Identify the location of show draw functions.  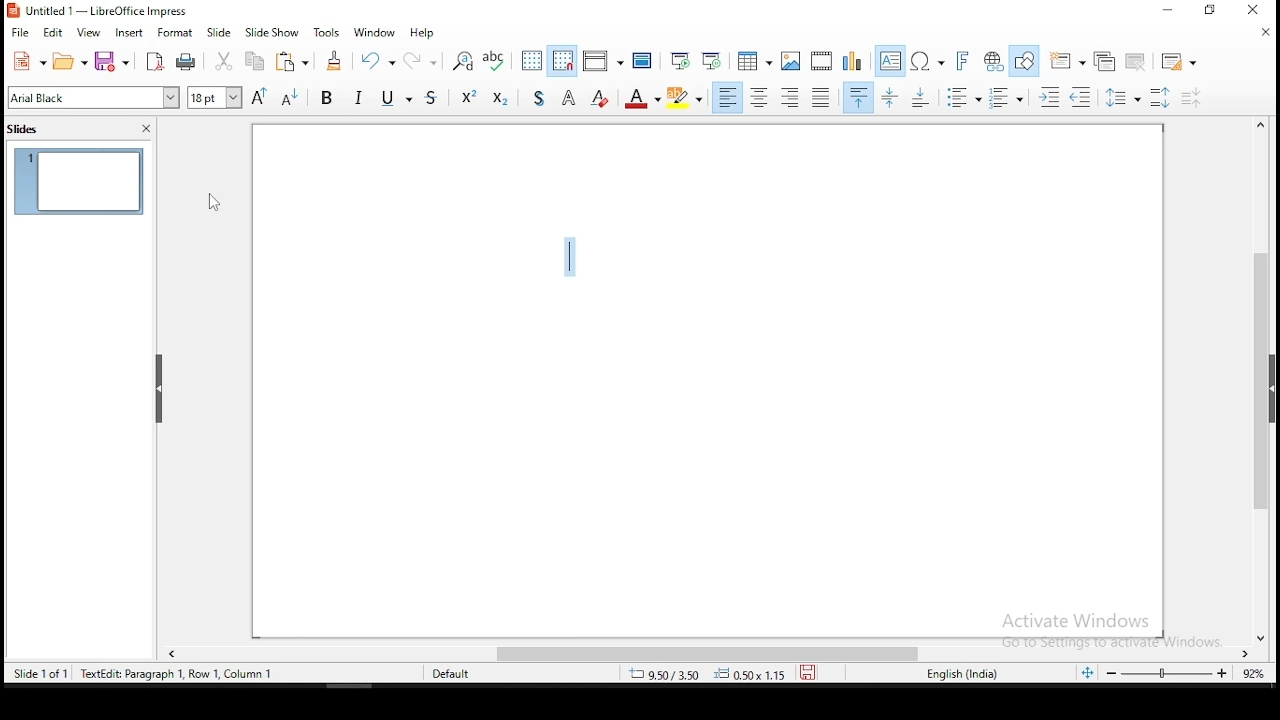
(1024, 62).